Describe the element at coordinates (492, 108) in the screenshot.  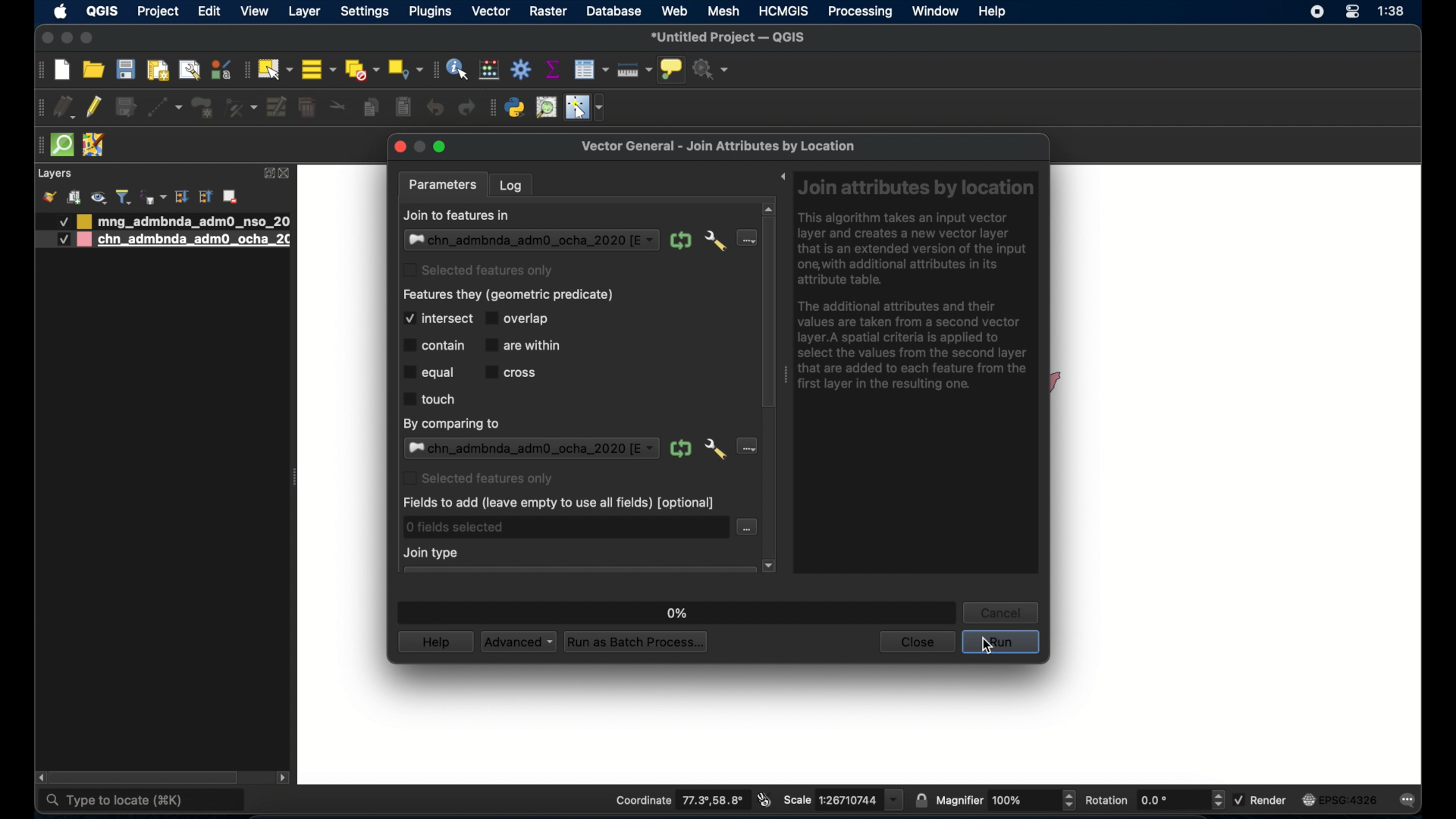
I see `plugins toolbar` at that location.